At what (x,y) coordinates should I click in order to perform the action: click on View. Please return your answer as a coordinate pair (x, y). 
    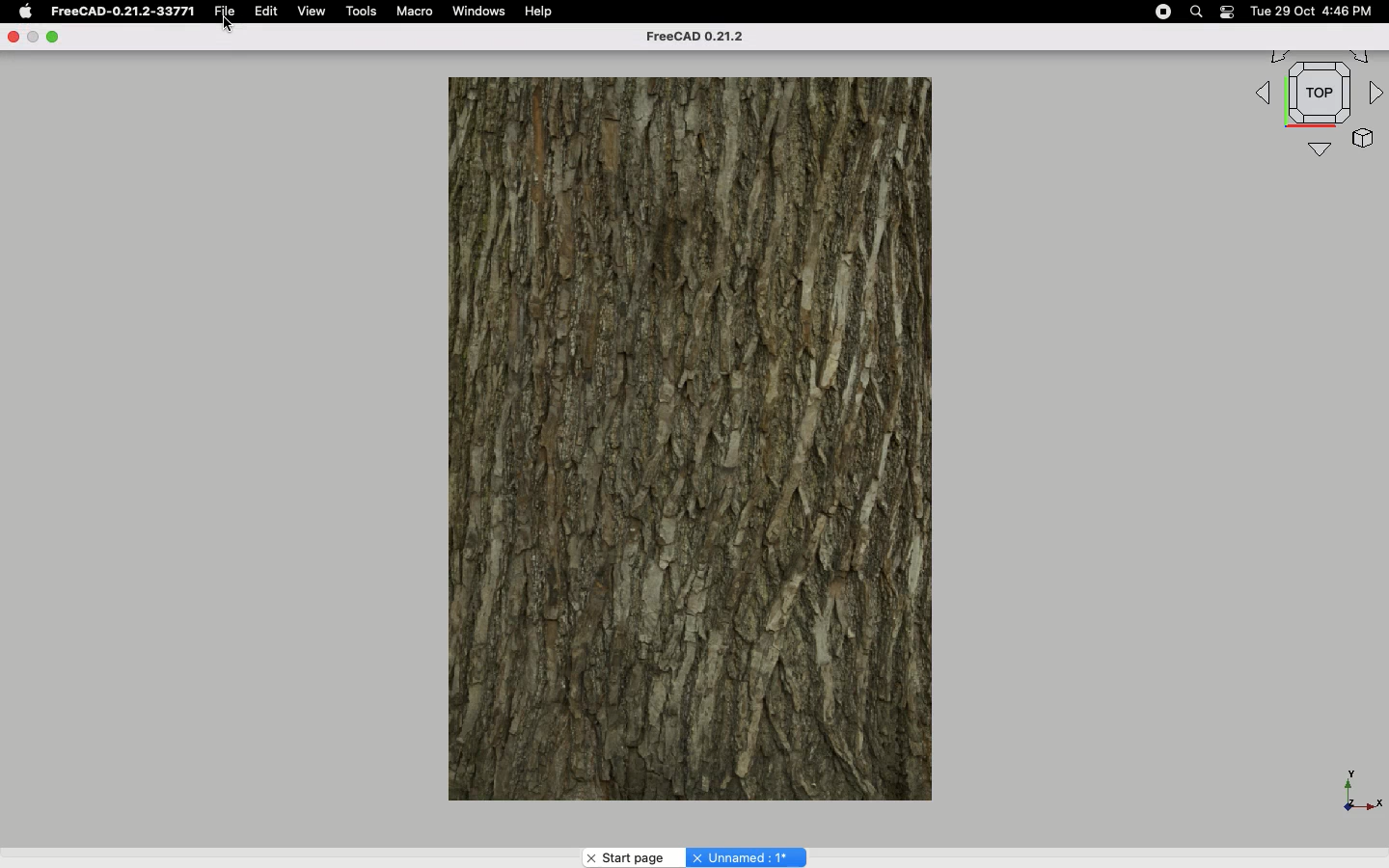
    Looking at the image, I should click on (312, 12).